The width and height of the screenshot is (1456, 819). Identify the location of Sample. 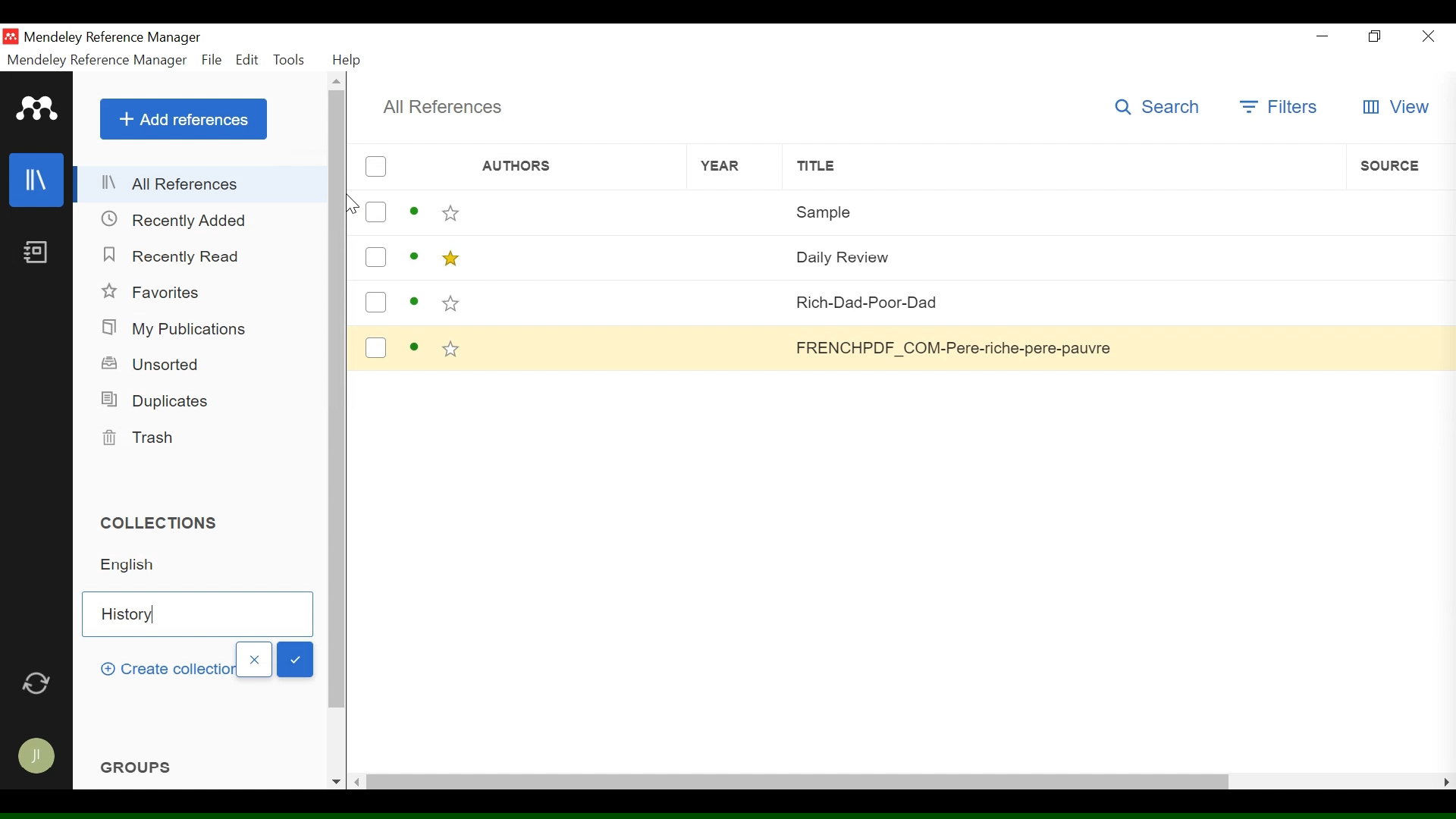
(1064, 212).